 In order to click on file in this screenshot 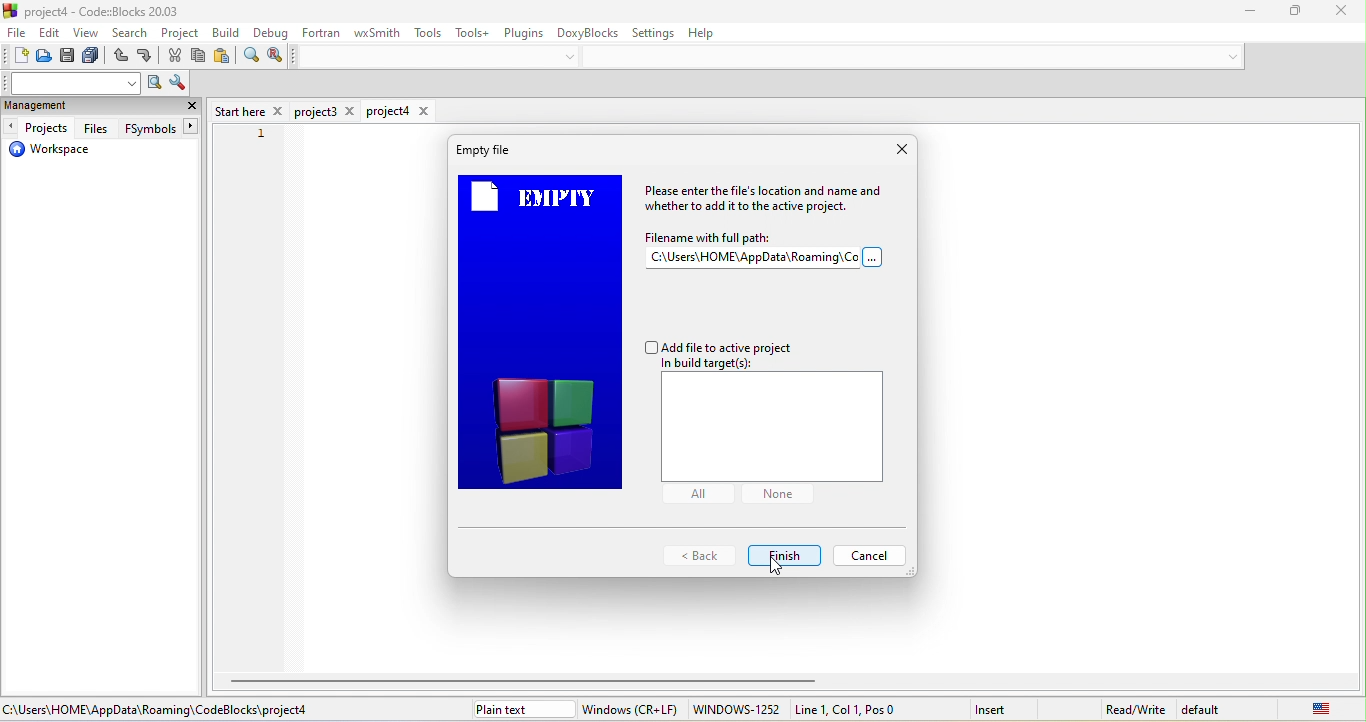, I will do `click(16, 35)`.